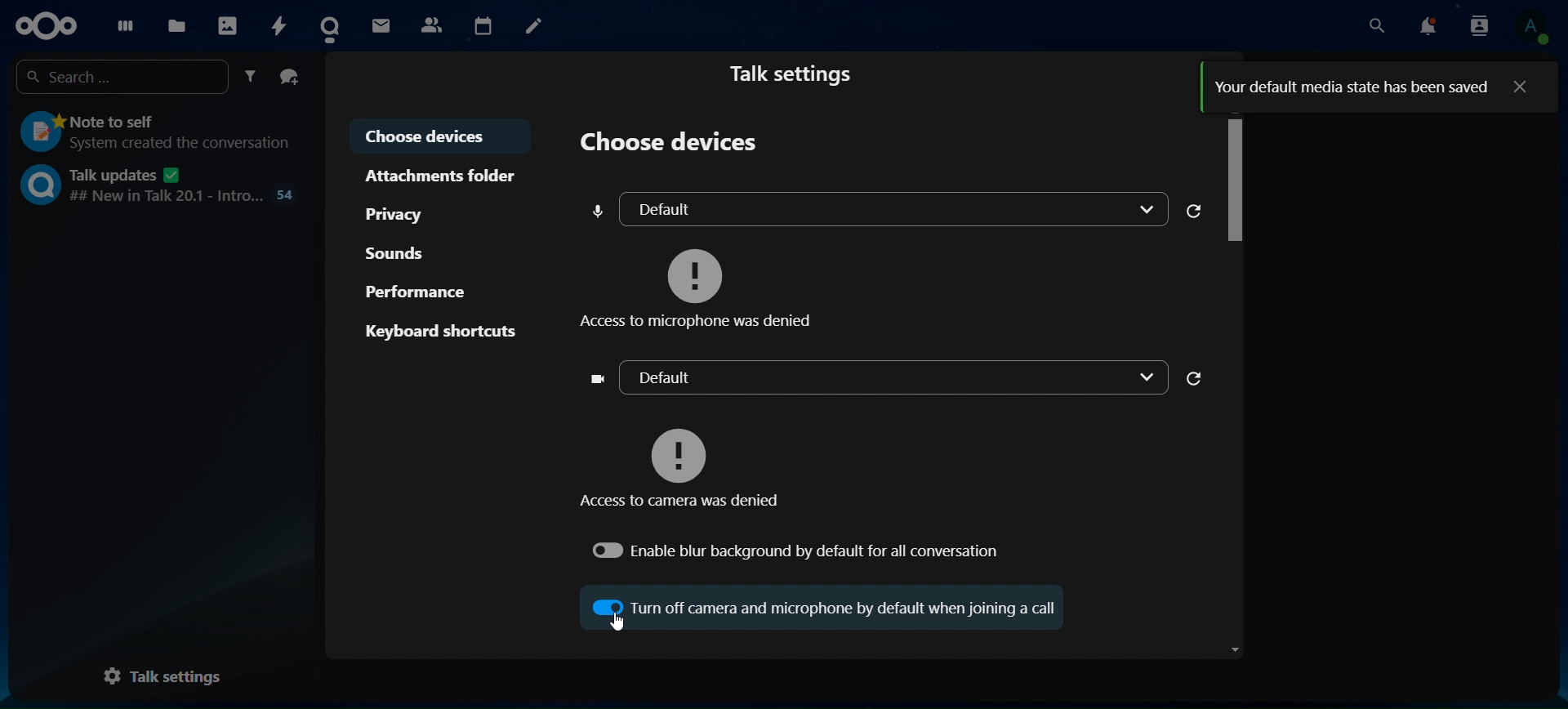 Image resolution: width=1568 pixels, height=709 pixels. What do you see at coordinates (423, 295) in the screenshot?
I see `performance` at bounding box center [423, 295].